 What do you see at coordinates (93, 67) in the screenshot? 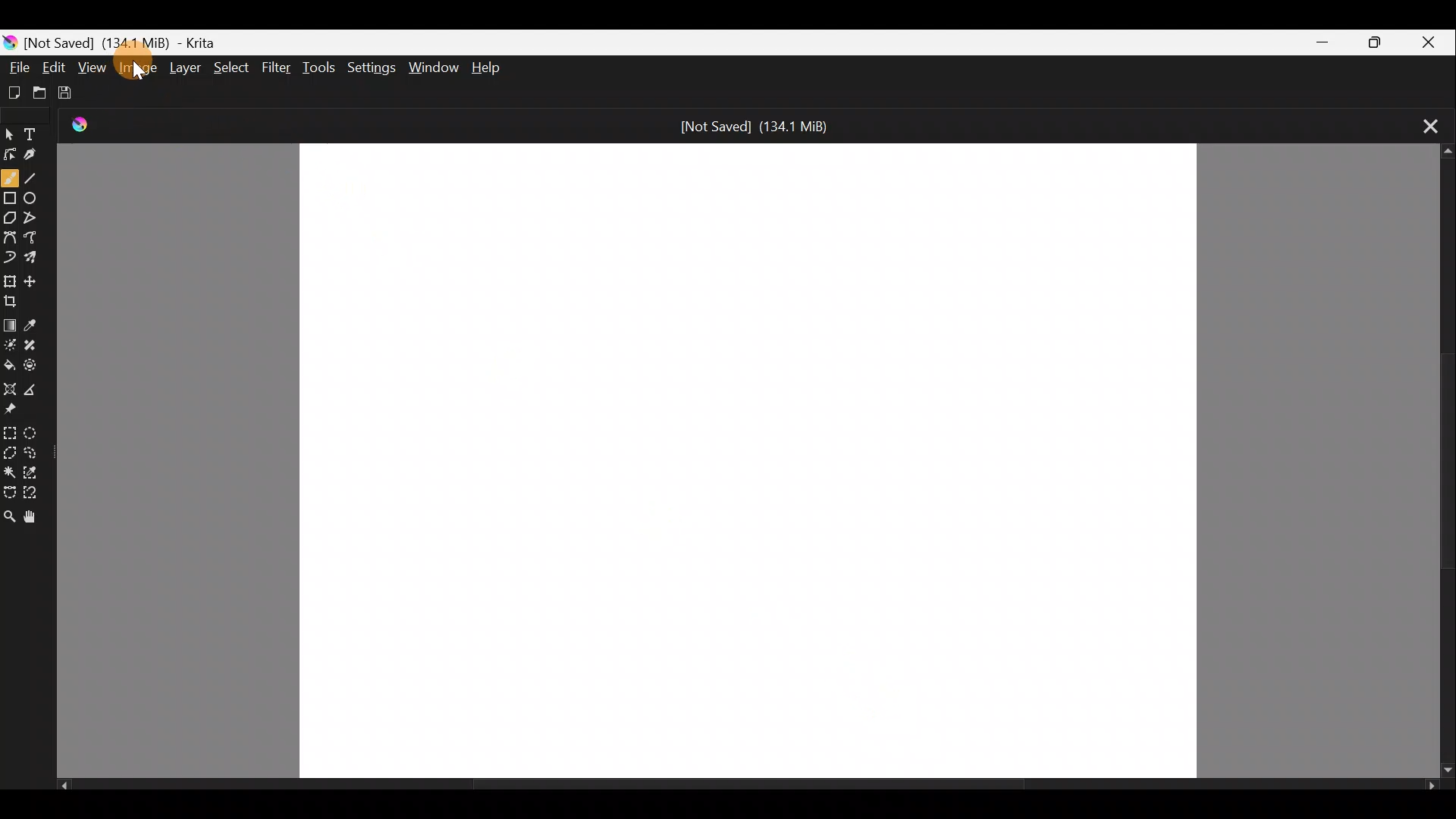
I see `View` at bounding box center [93, 67].